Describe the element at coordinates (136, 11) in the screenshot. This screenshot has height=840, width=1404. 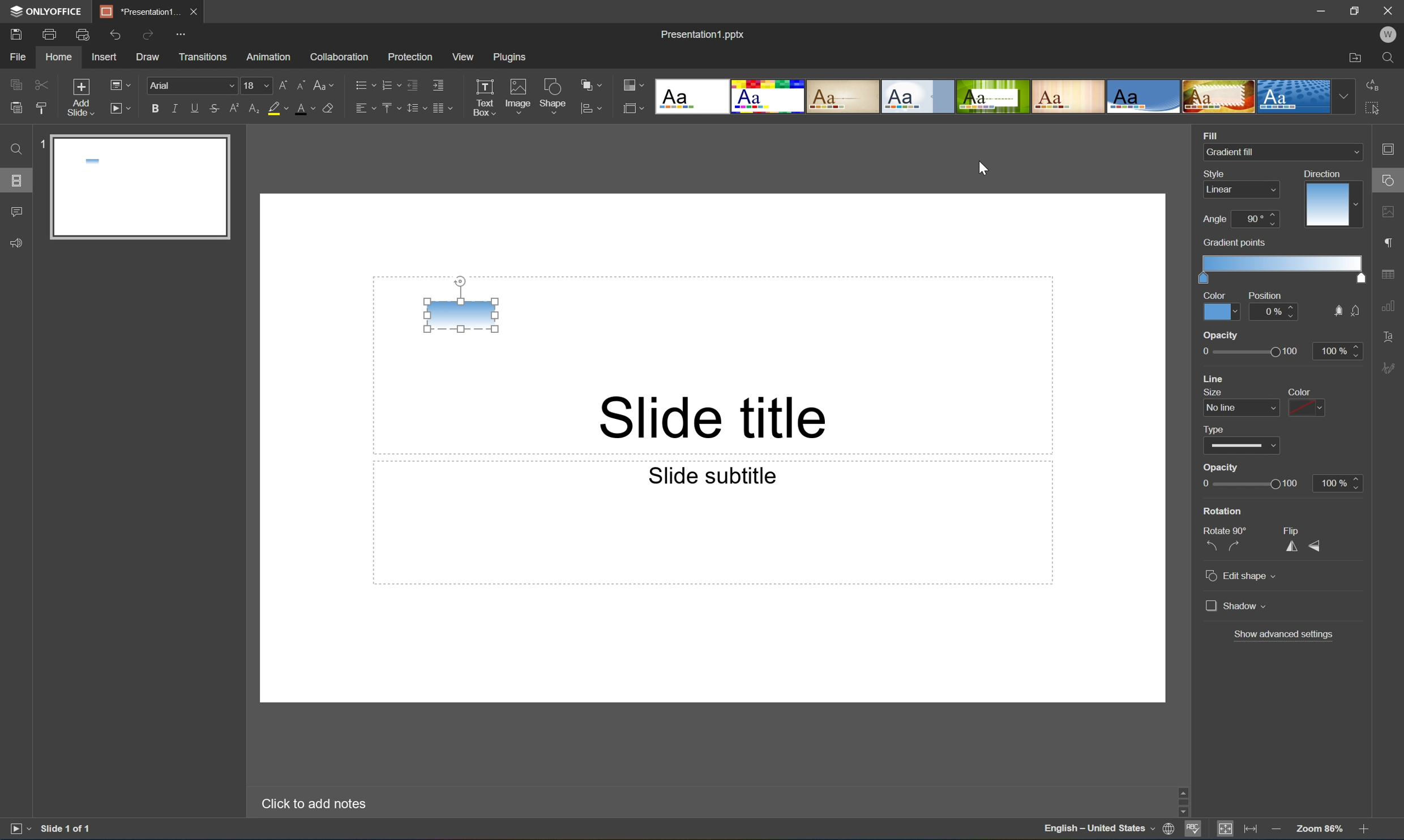
I see `Presentation1...` at that location.